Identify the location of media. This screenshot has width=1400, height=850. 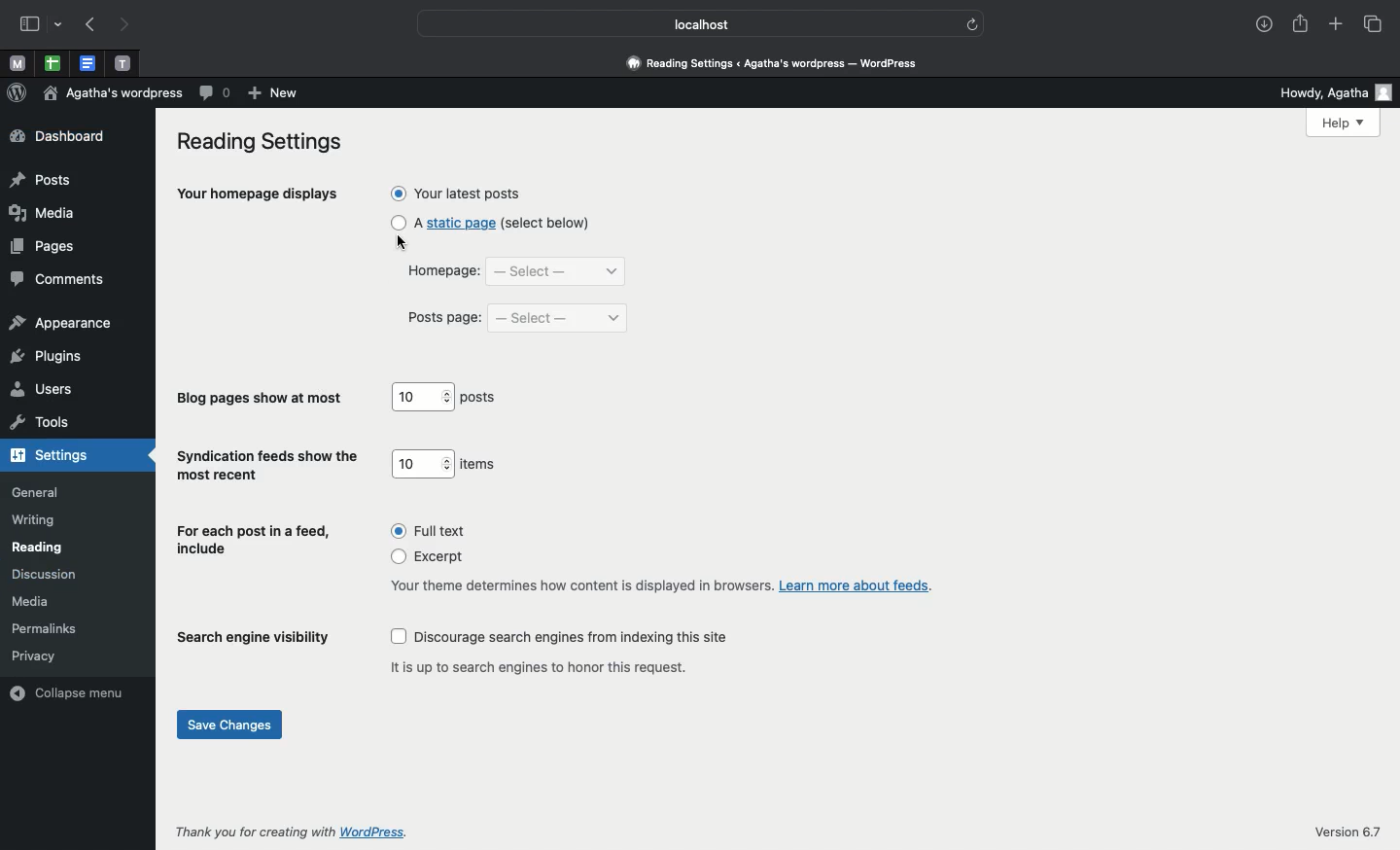
(34, 601).